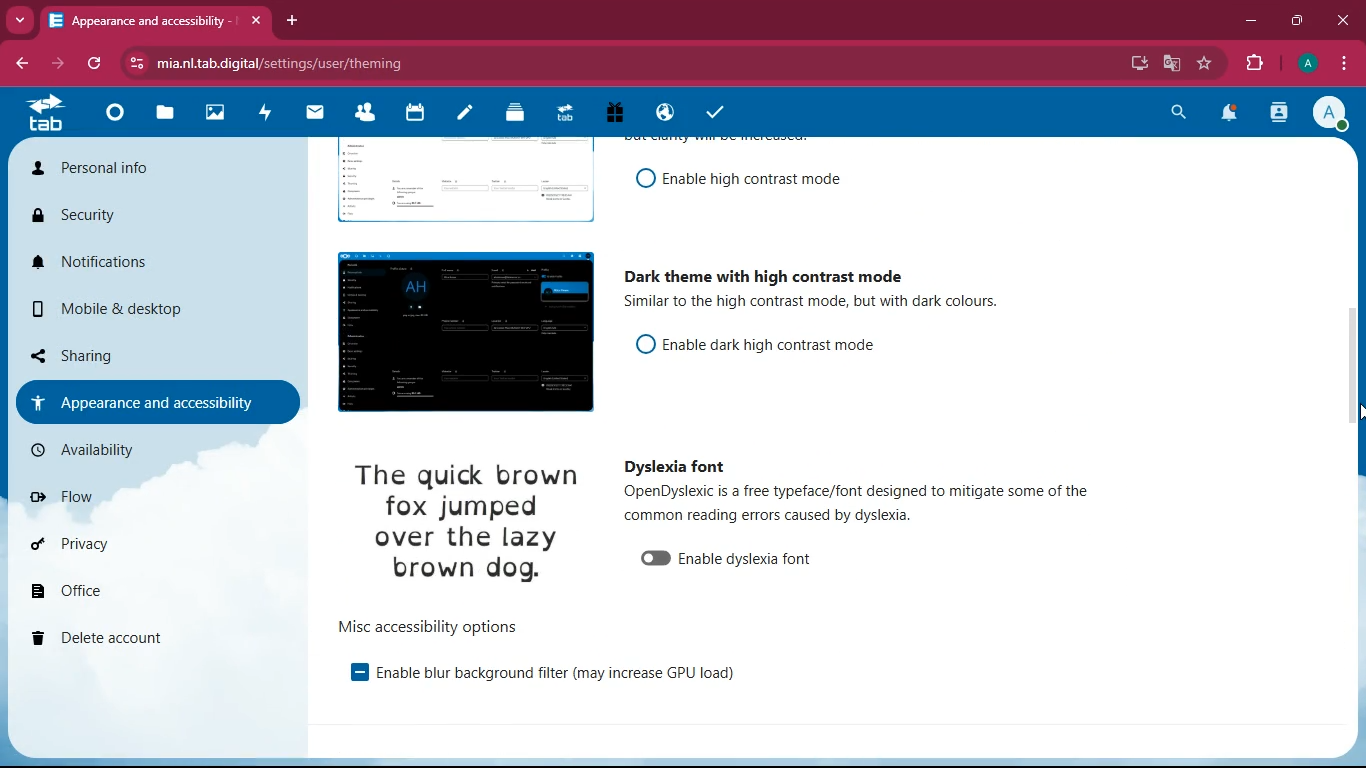 Image resolution: width=1366 pixels, height=768 pixels. I want to click on activity, so click(1278, 116).